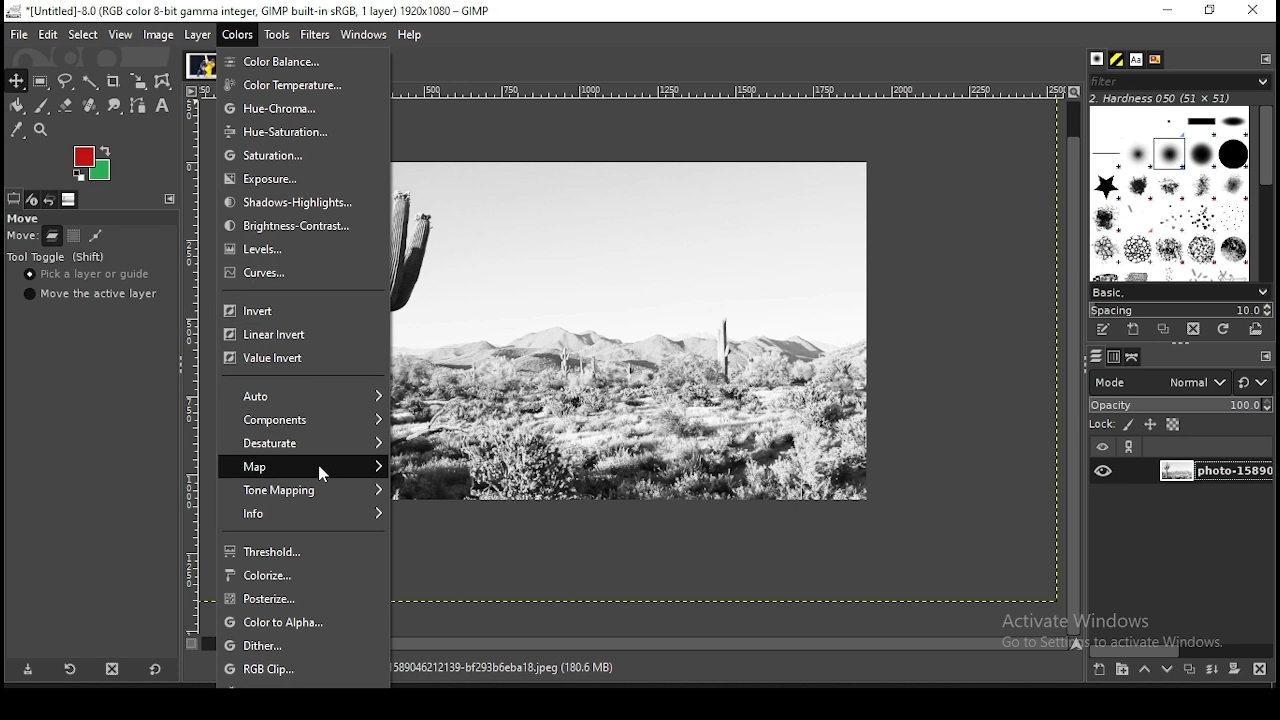 Image resolution: width=1280 pixels, height=720 pixels. I want to click on file, so click(17, 33).